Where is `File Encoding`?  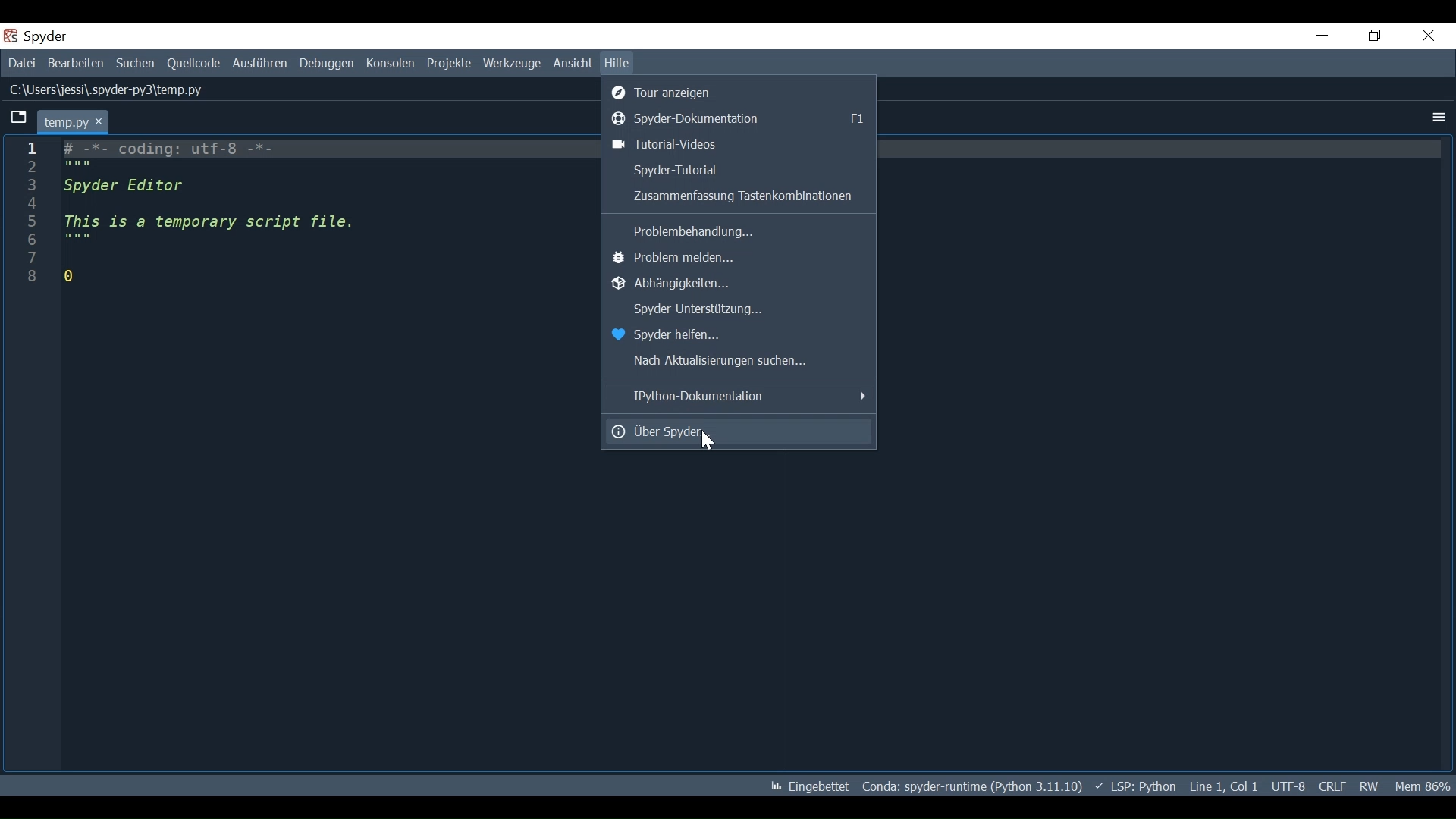
File Encoding is located at coordinates (1288, 786).